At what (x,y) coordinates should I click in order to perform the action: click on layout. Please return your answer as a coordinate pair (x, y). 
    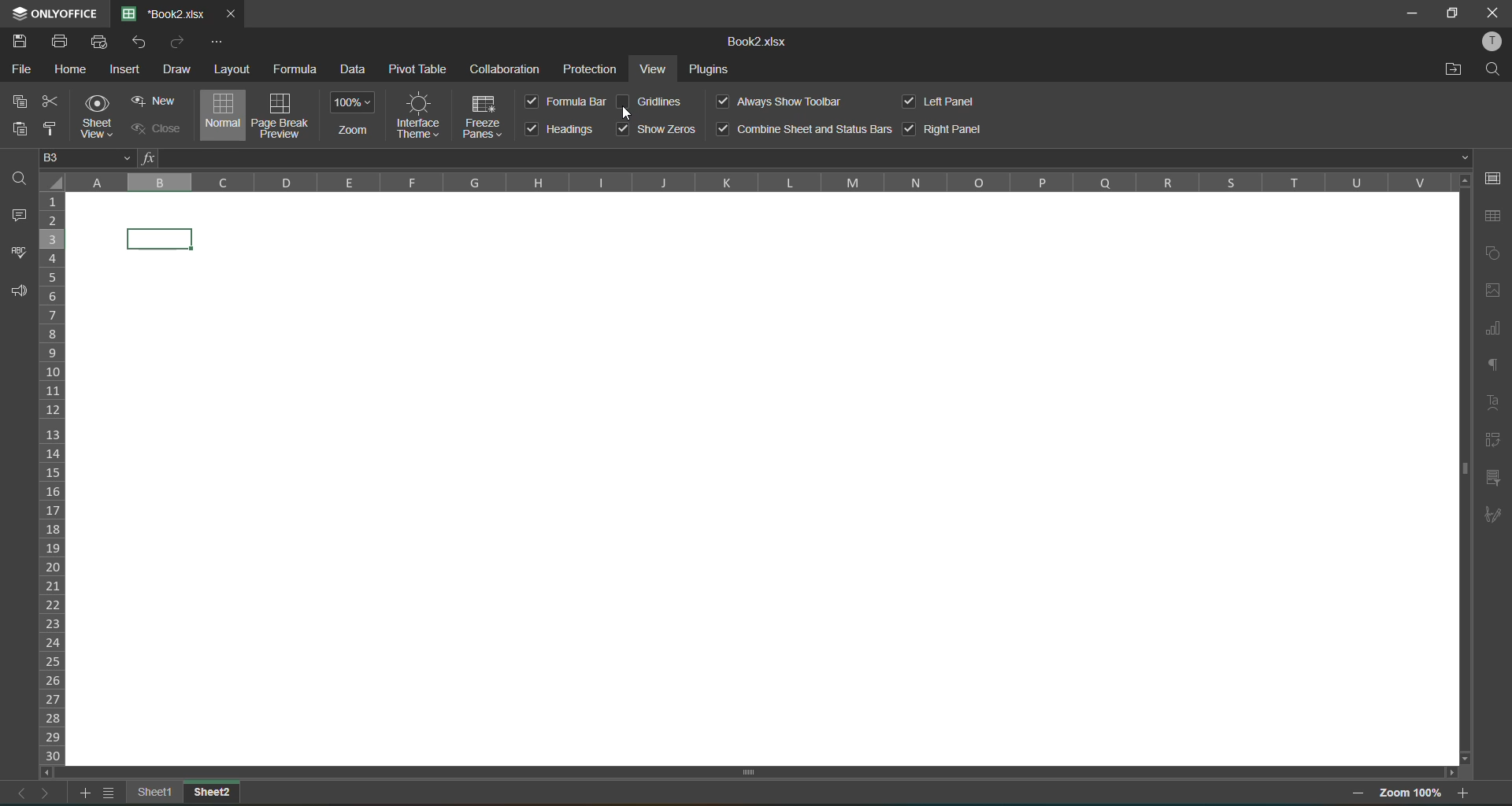
    Looking at the image, I should click on (233, 68).